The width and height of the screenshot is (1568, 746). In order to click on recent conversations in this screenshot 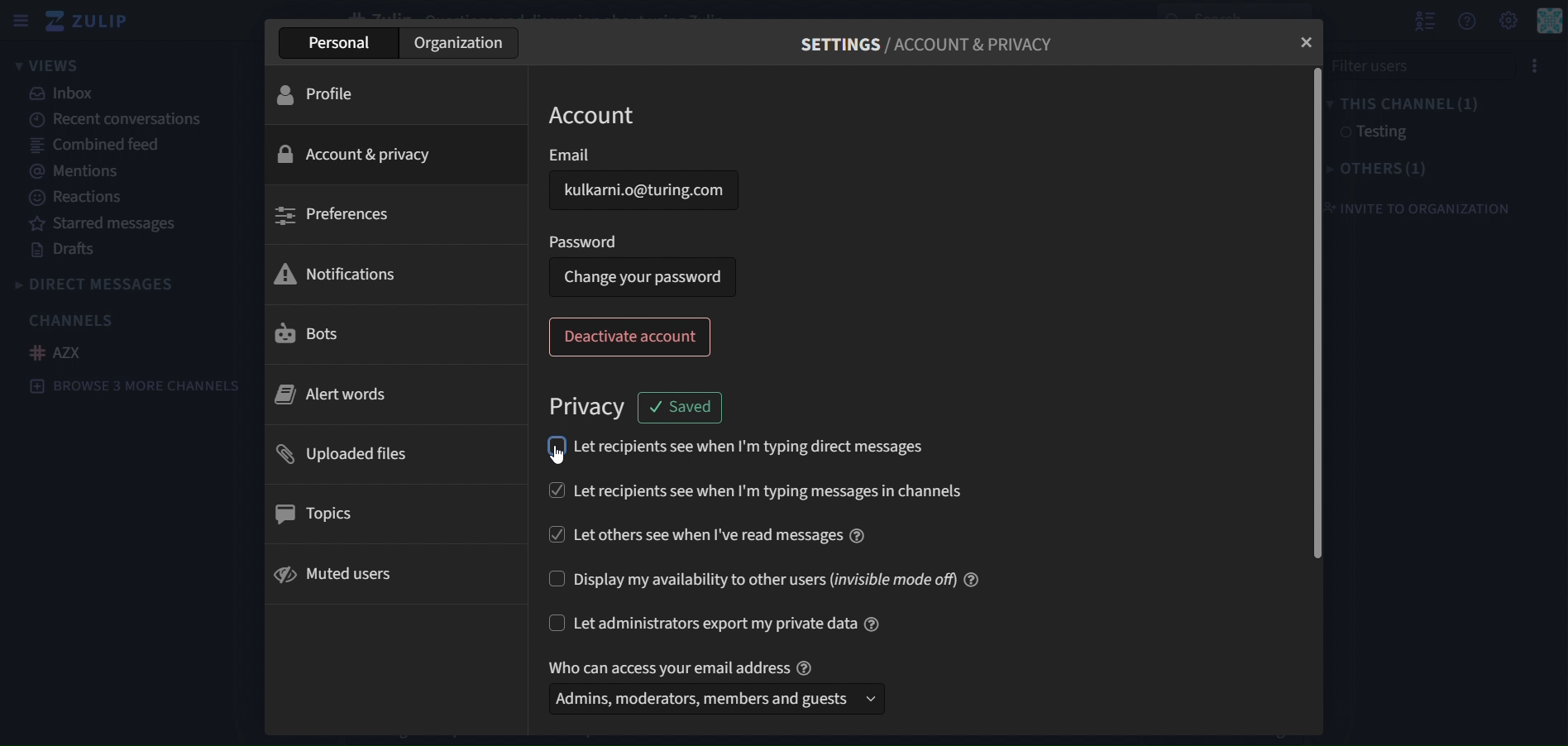, I will do `click(113, 118)`.